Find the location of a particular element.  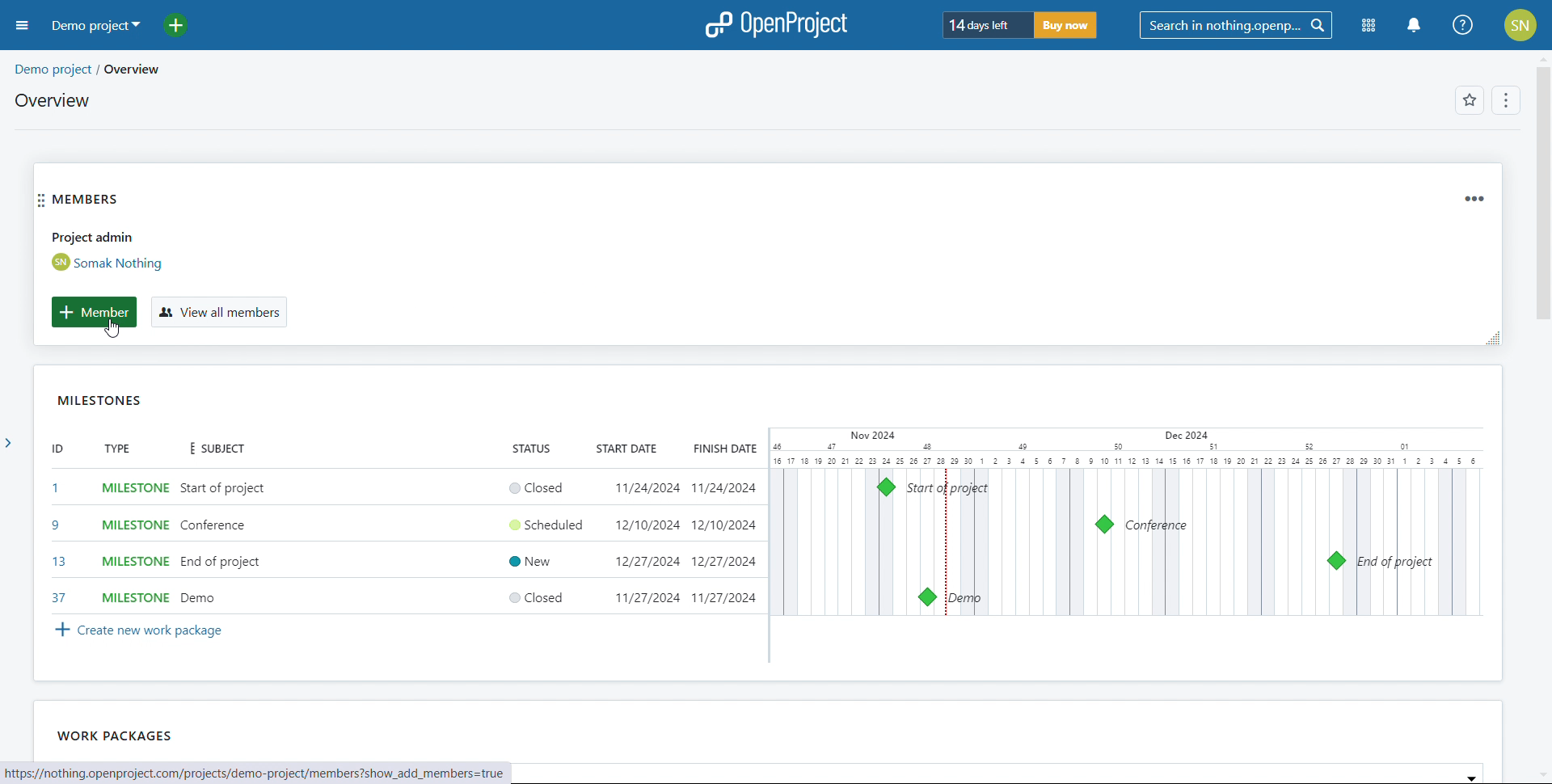

demo project is located at coordinates (52, 71).